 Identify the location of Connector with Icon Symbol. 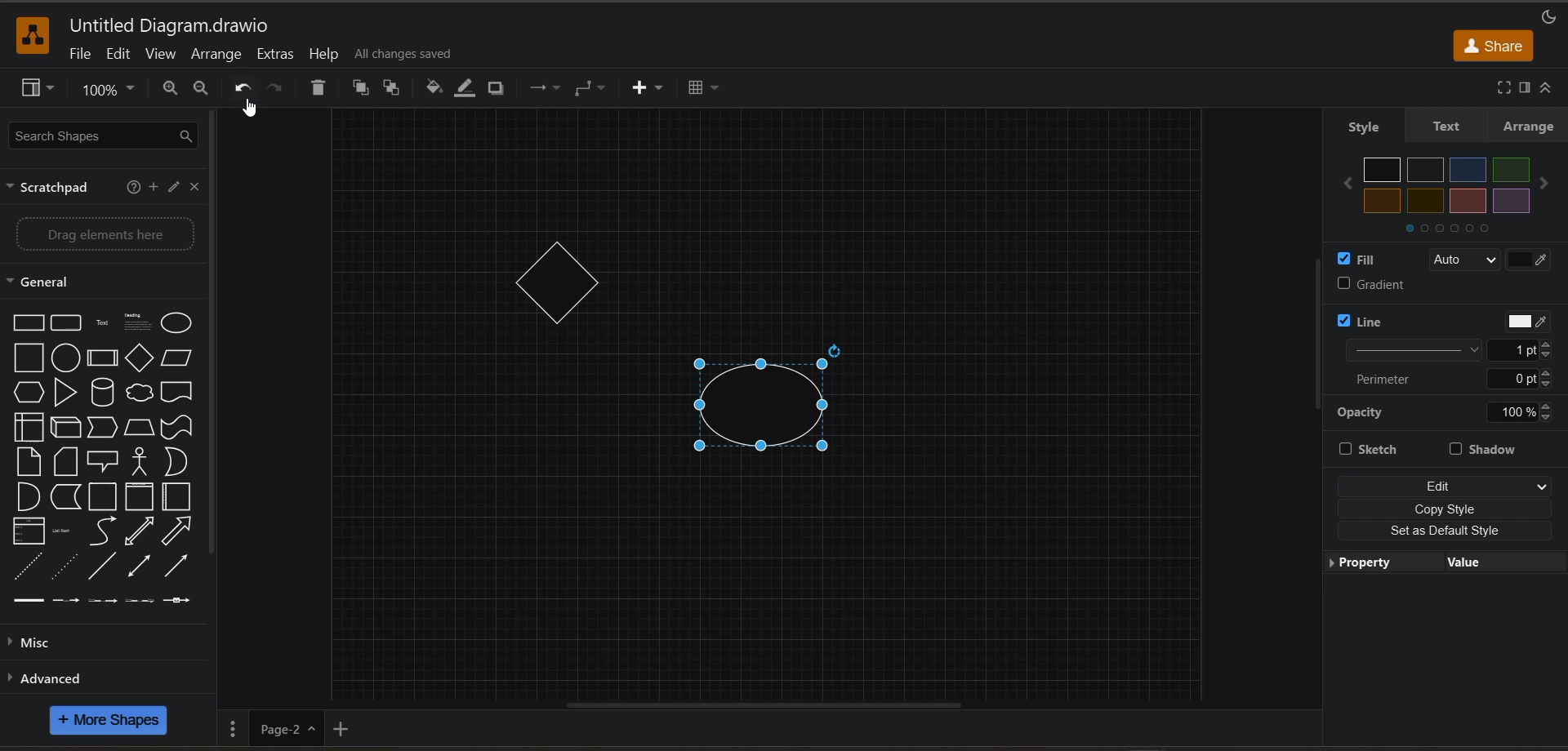
(177, 600).